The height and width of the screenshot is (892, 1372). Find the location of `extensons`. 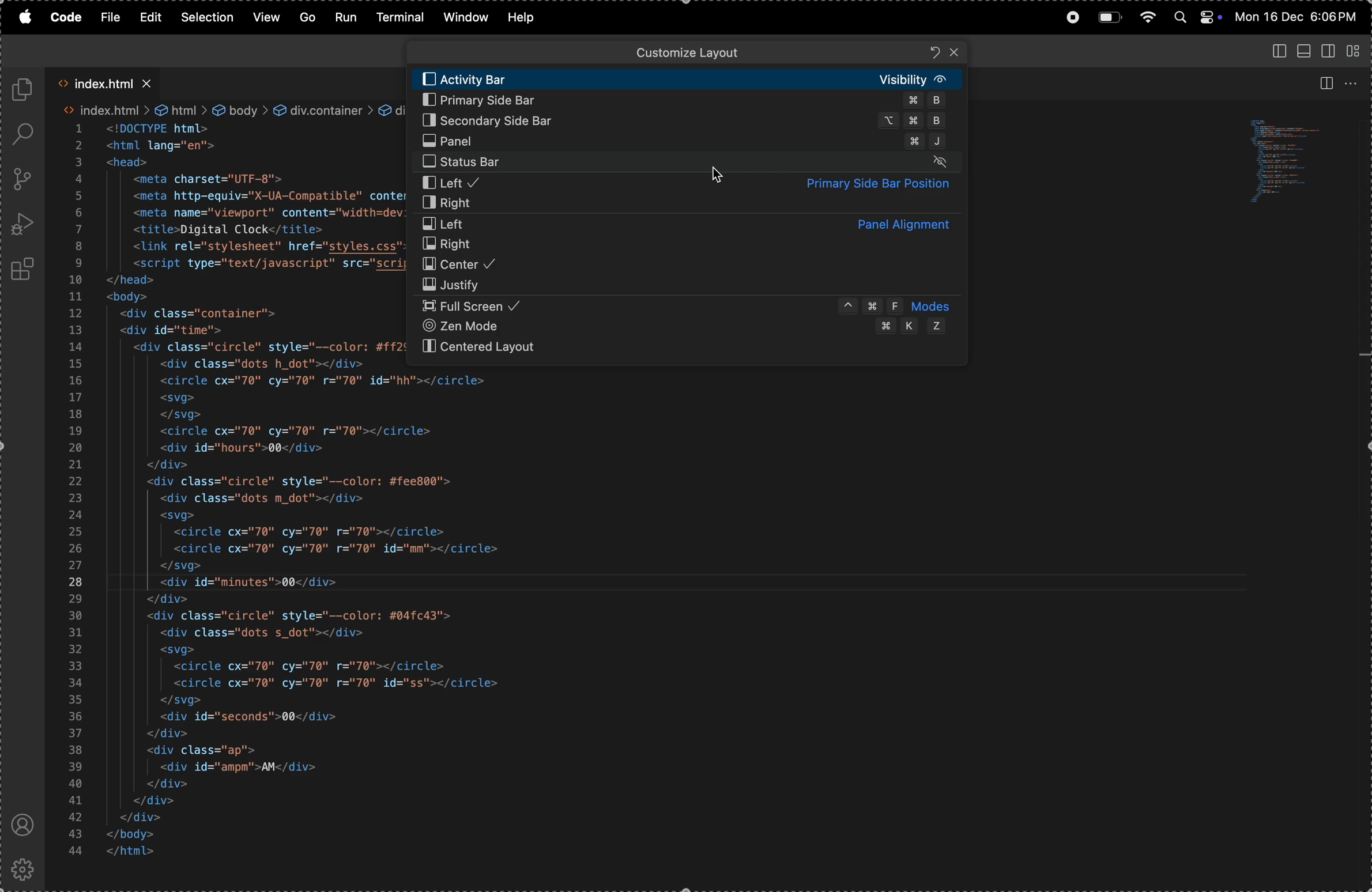

extensons is located at coordinates (24, 272).